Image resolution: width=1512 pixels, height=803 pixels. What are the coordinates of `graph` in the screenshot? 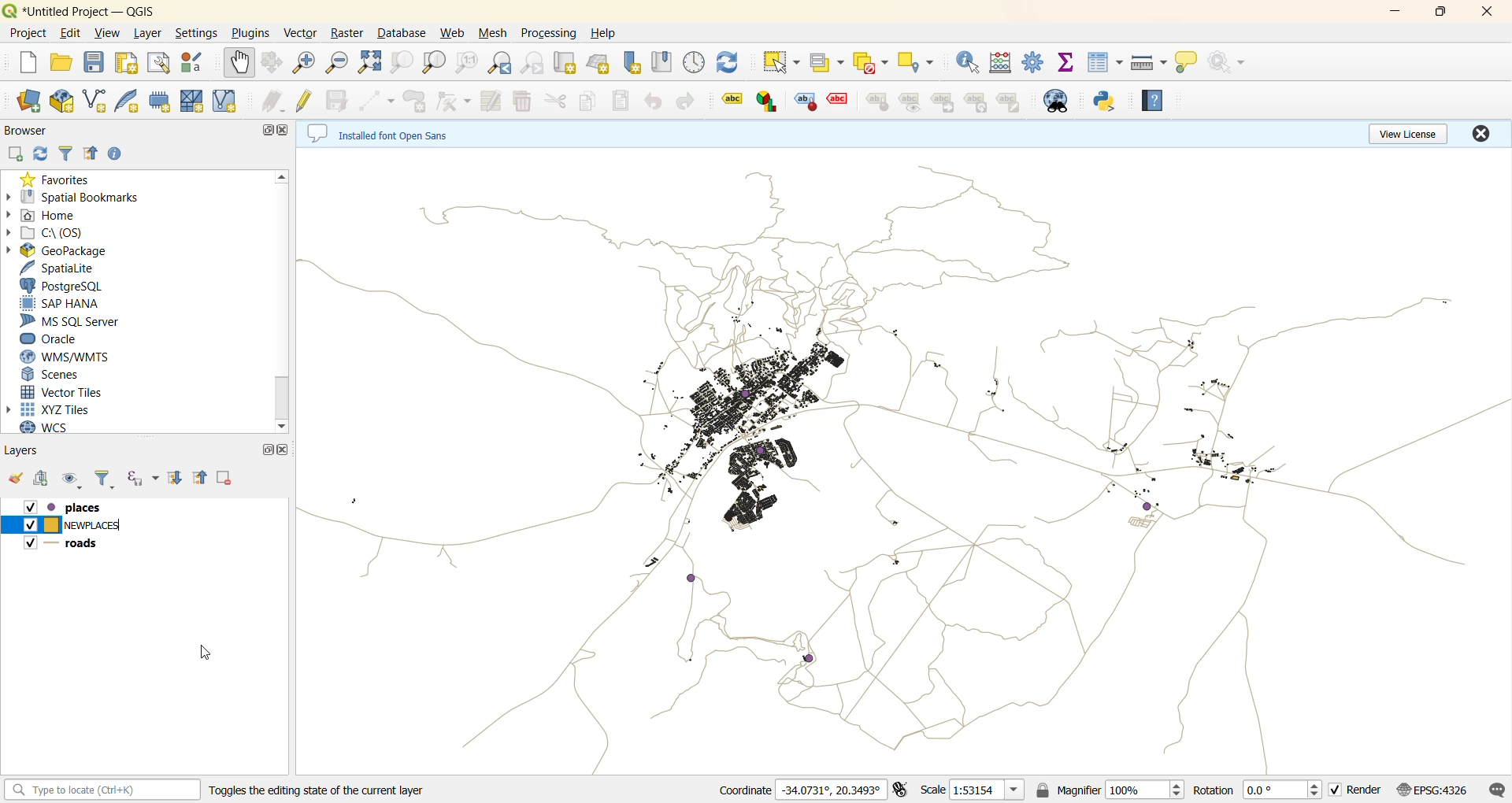 It's located at (767, 101).